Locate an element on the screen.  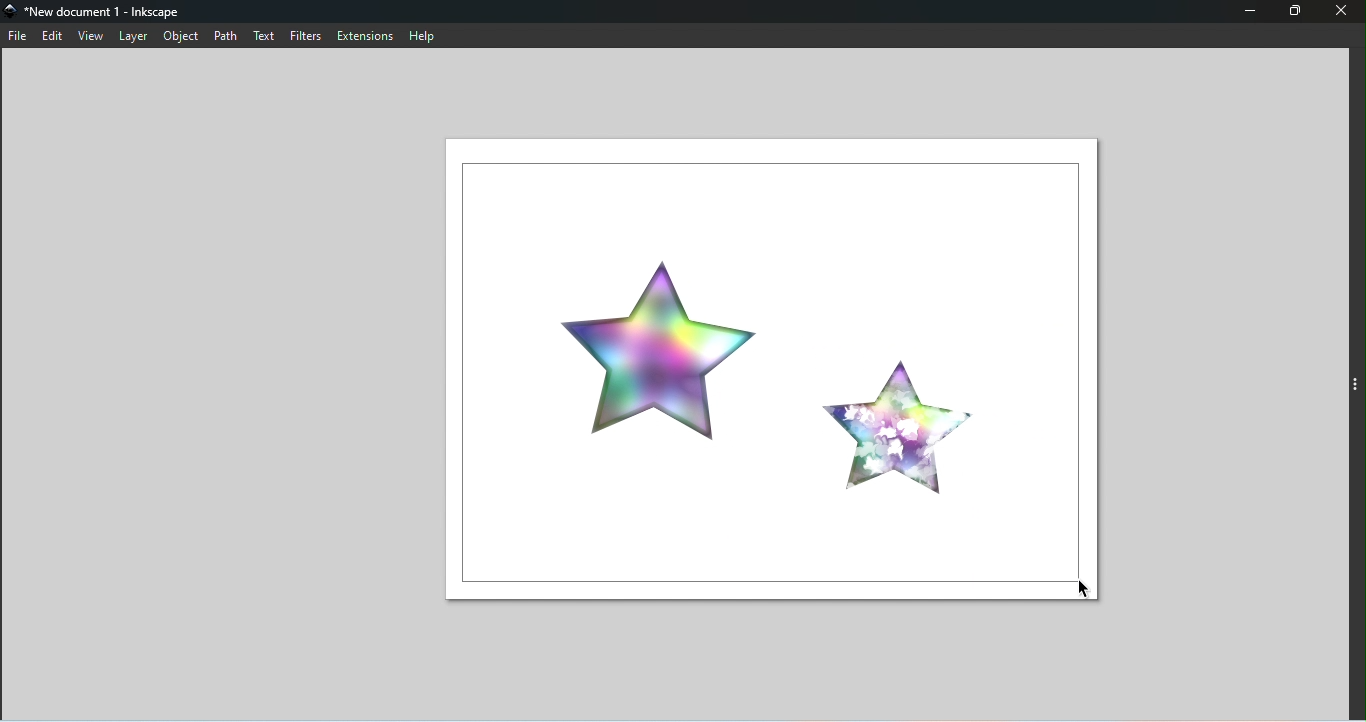
Layer is located at coordinates (136, 37).